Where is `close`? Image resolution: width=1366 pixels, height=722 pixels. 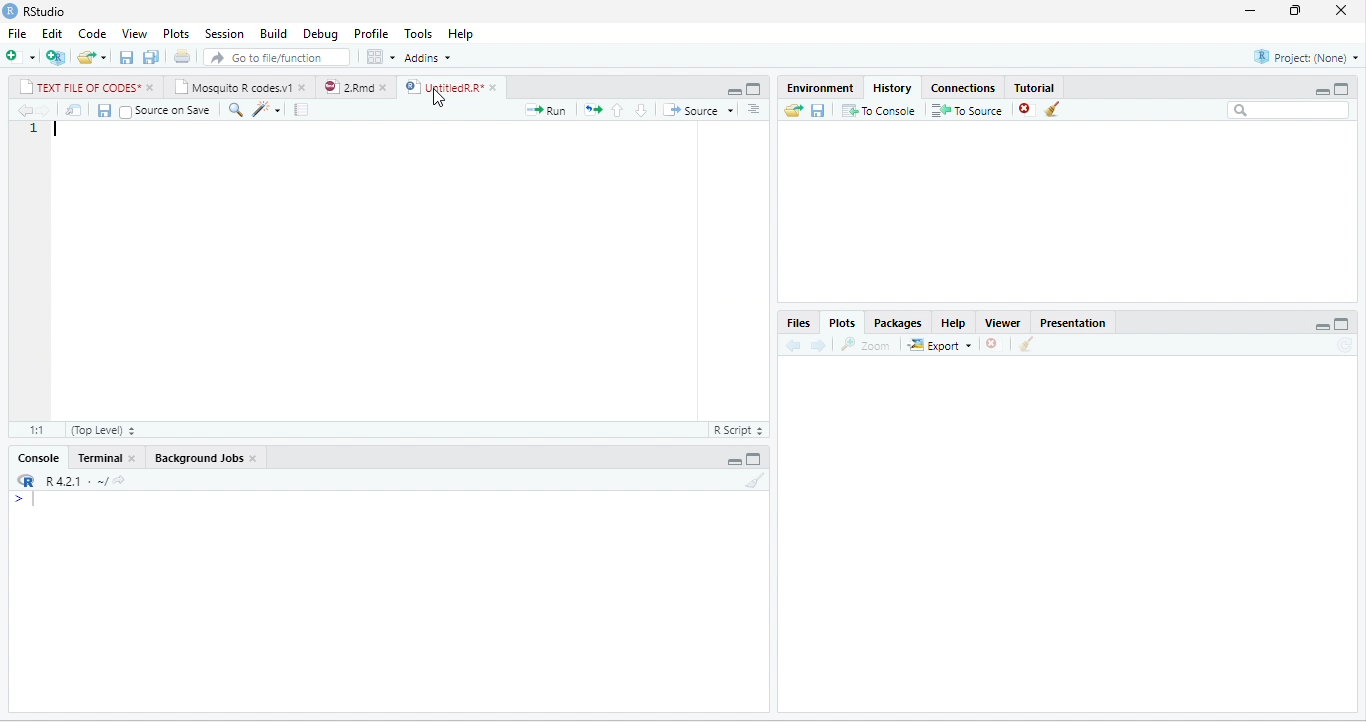 close is located at coordinates (304, 86).